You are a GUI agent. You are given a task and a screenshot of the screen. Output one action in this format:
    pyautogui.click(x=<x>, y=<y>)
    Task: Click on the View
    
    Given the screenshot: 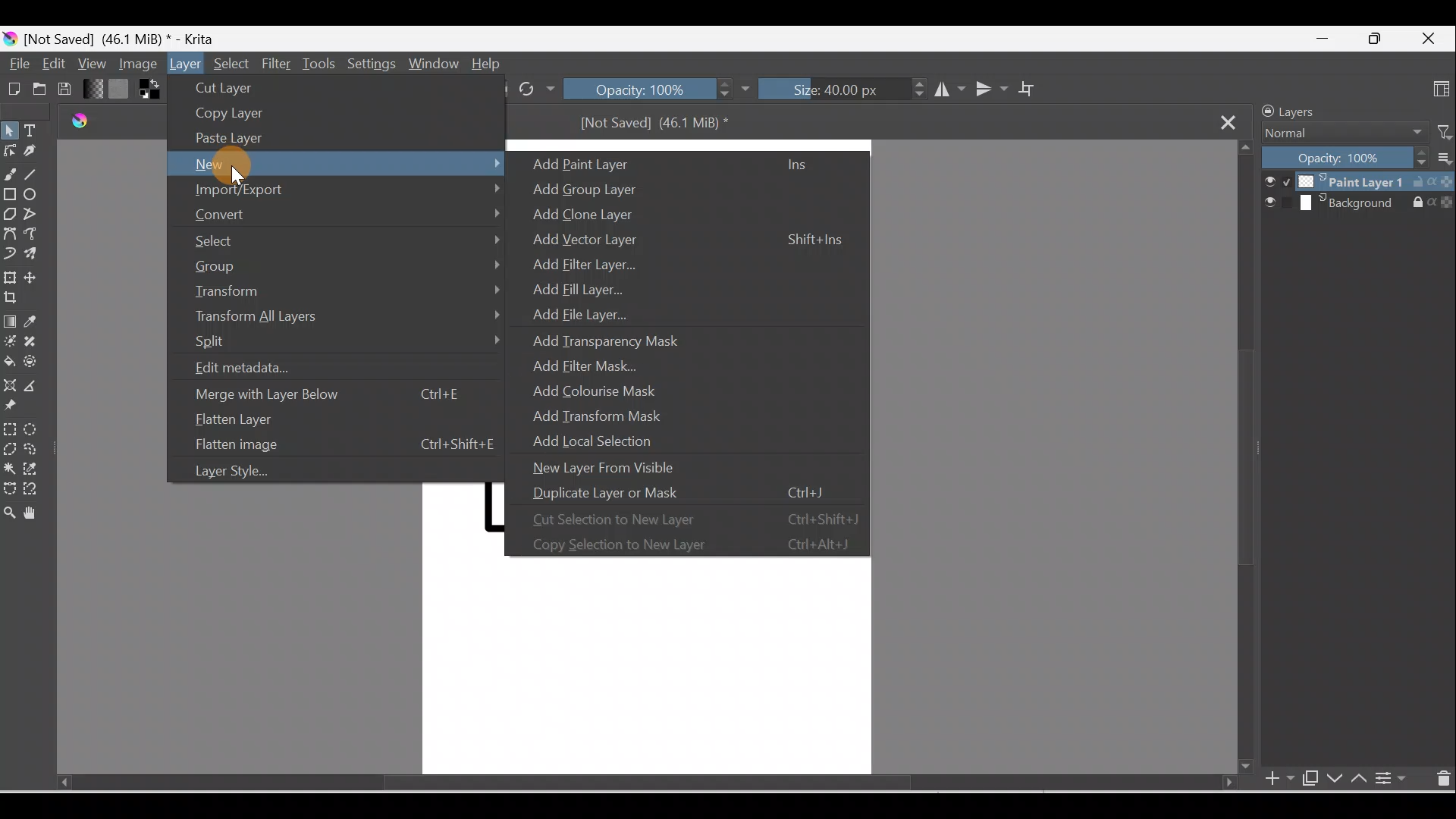 What is the action you would take?
    pyautogui.click(x=91, y=62)
    